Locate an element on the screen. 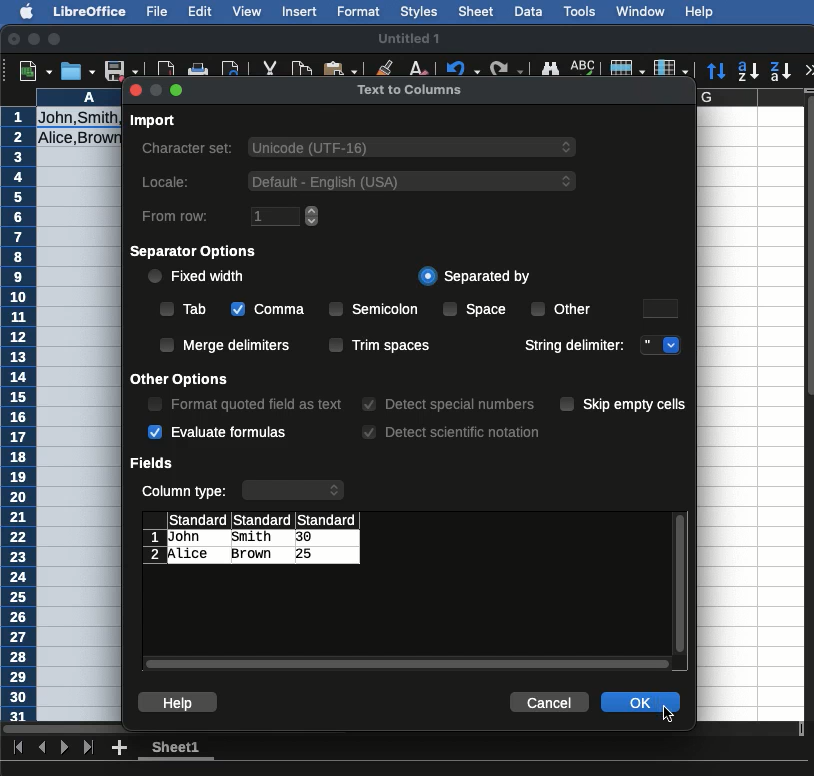 The image size is (814, 776). Finding is located at coordinates (550, 70).